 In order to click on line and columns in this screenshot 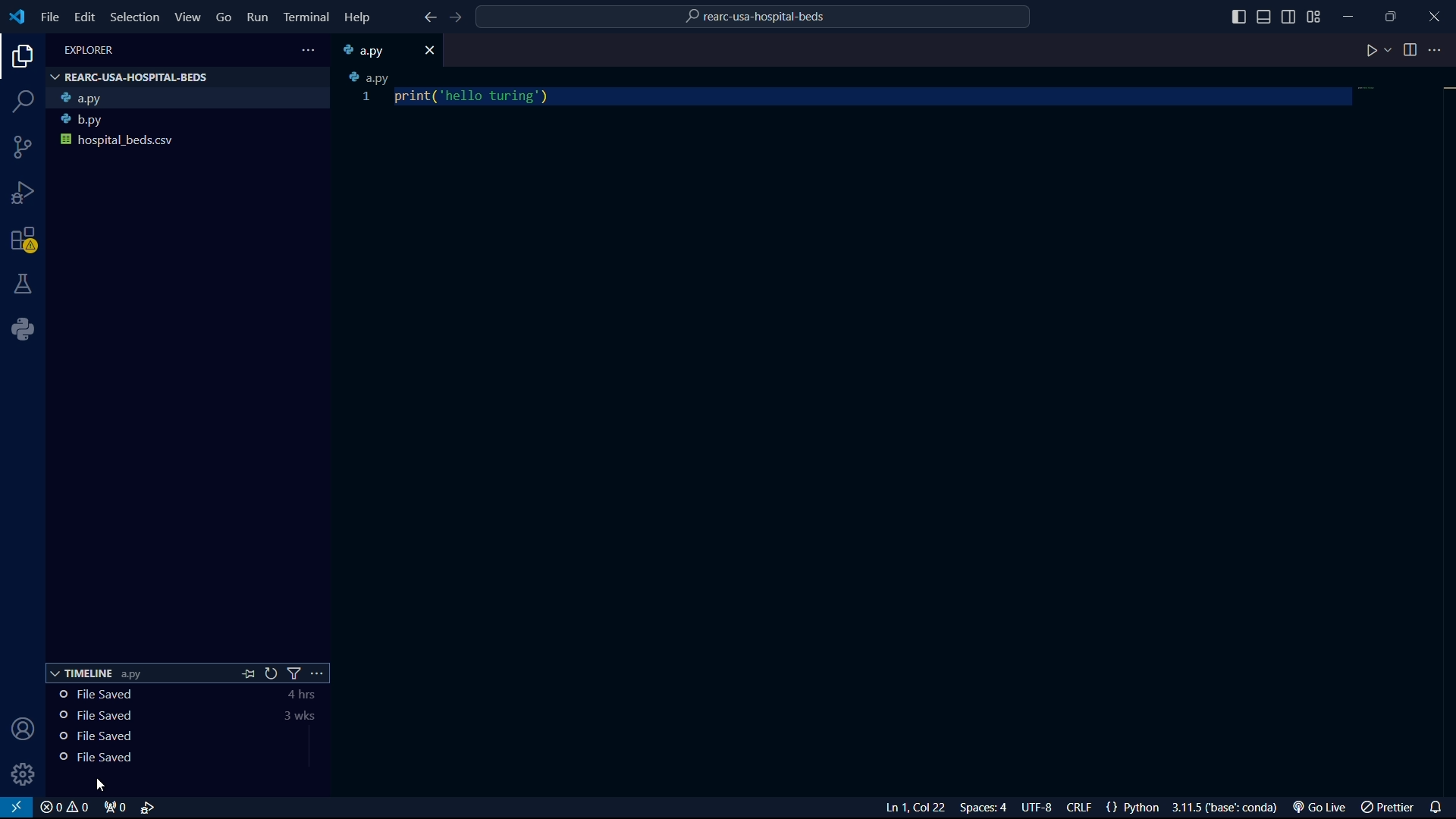, I will do `click(917, 808)`.